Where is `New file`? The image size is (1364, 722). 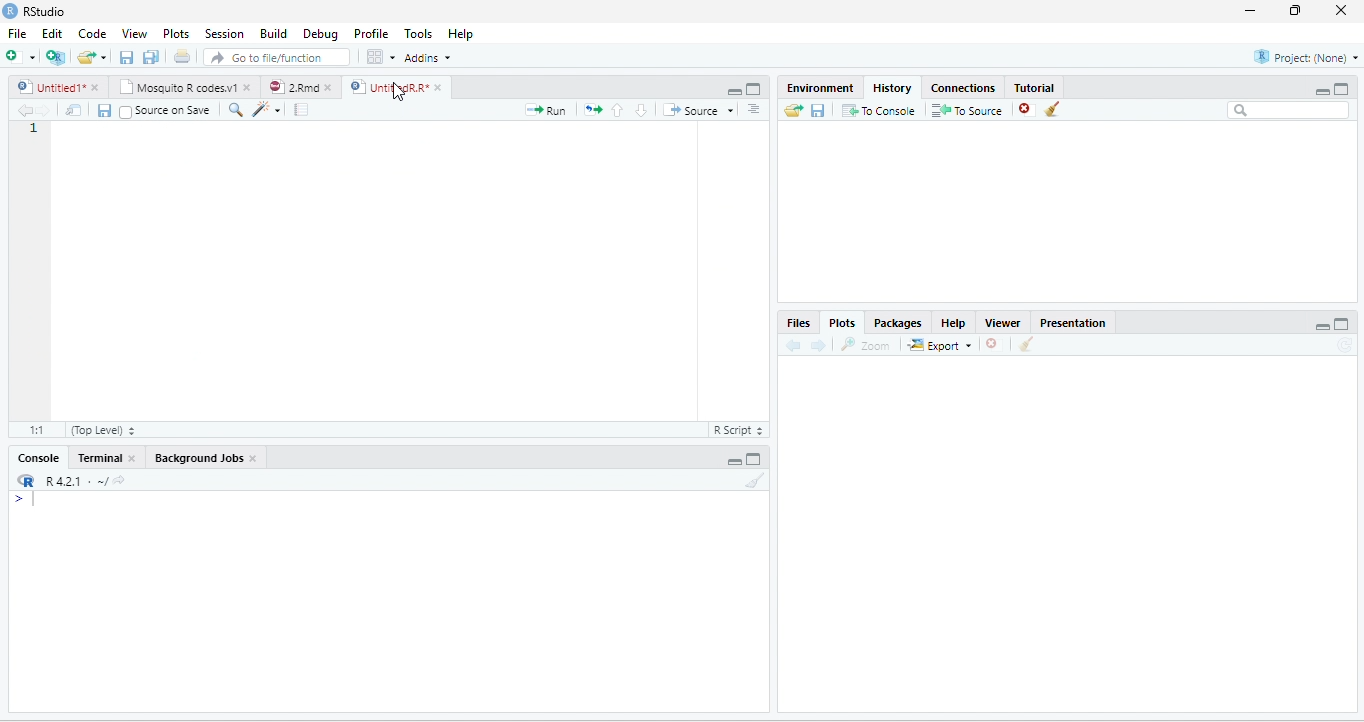
New file is located at coordinates (21, 56).